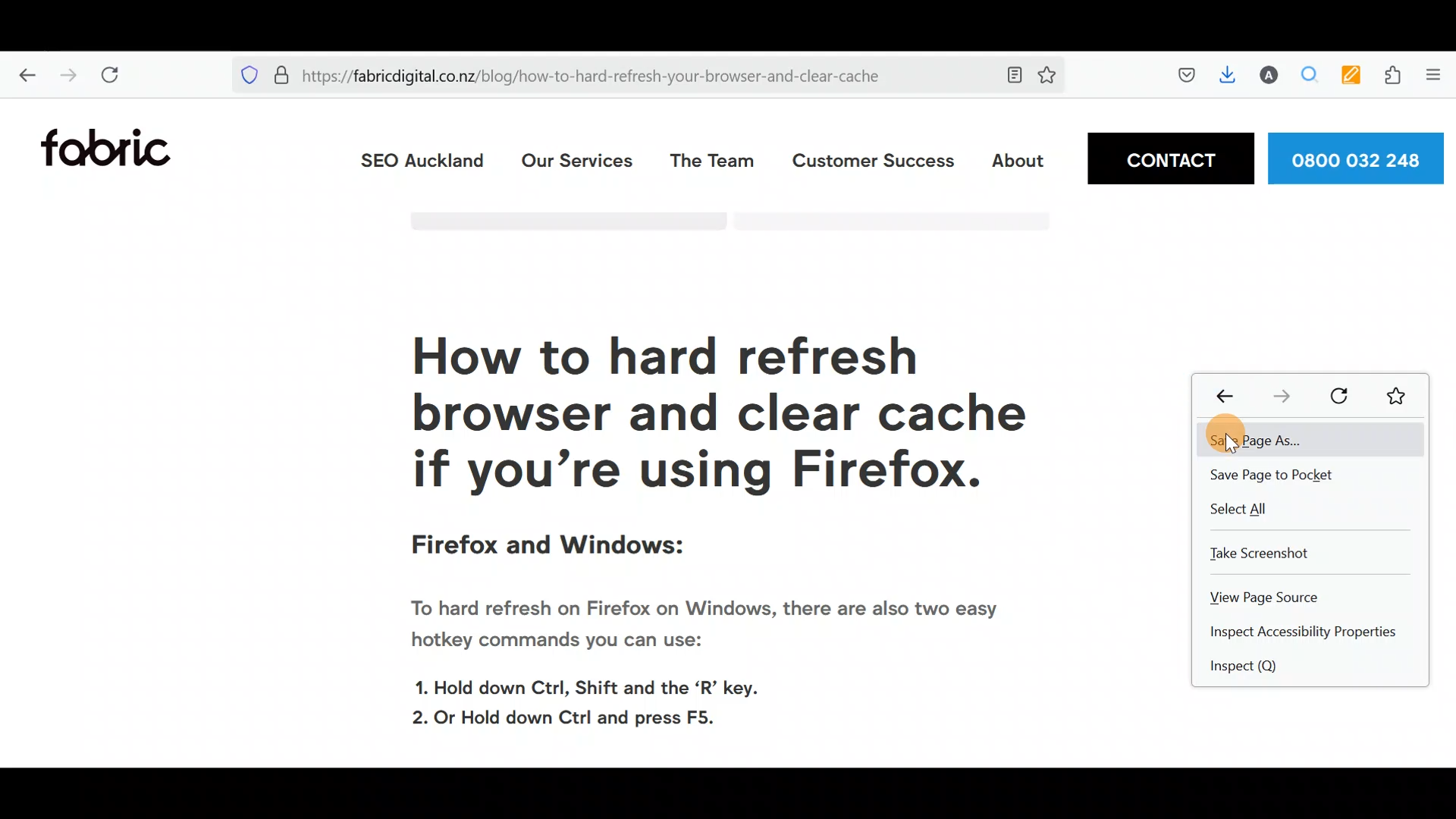 This screenshot has height=819, width=1456. Describe the element at coordinates (111, 148) in the screenshot. I see `Fabric` at that location.